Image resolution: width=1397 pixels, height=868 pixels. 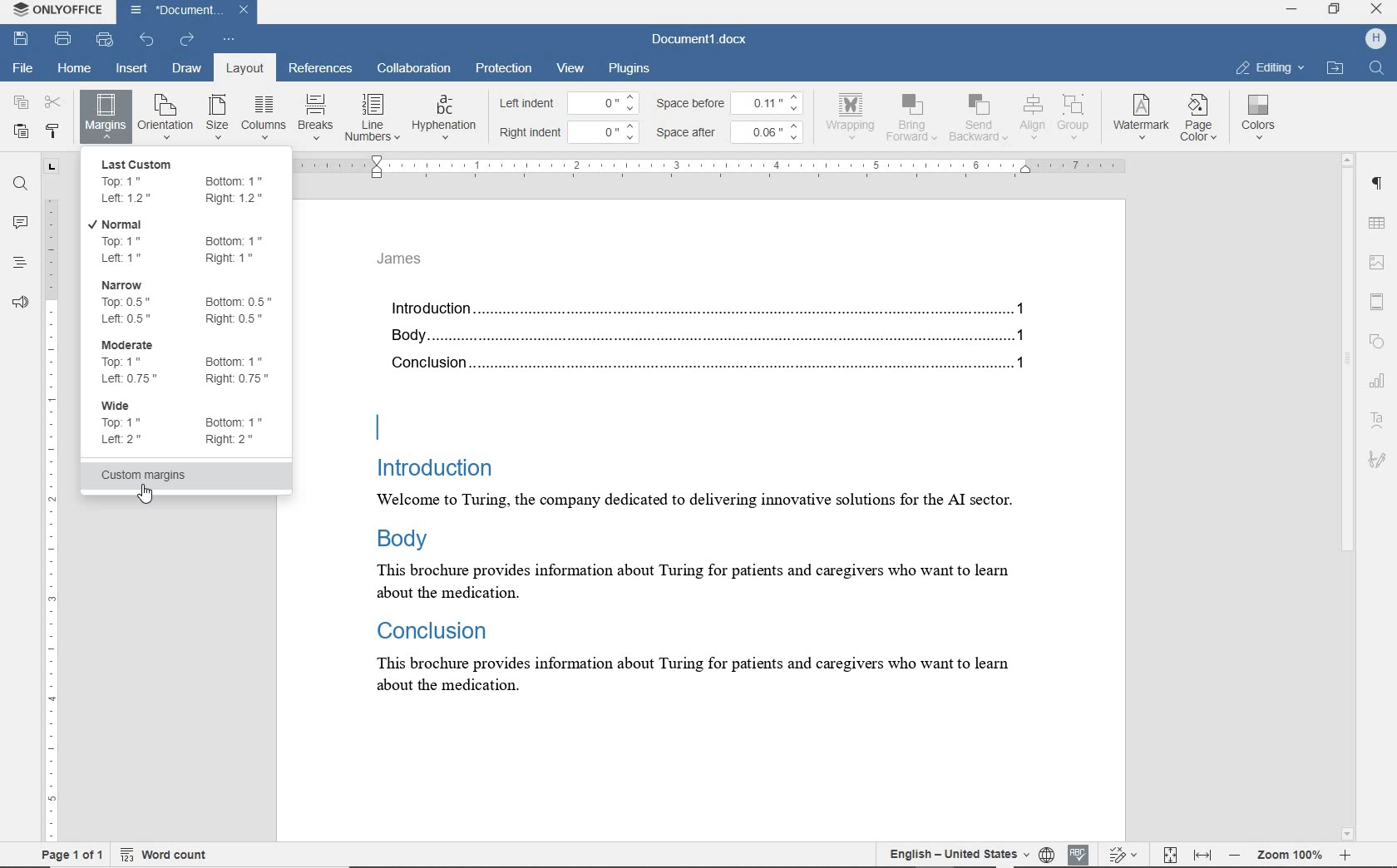 I want to click on references, so click(x=321, y=70).